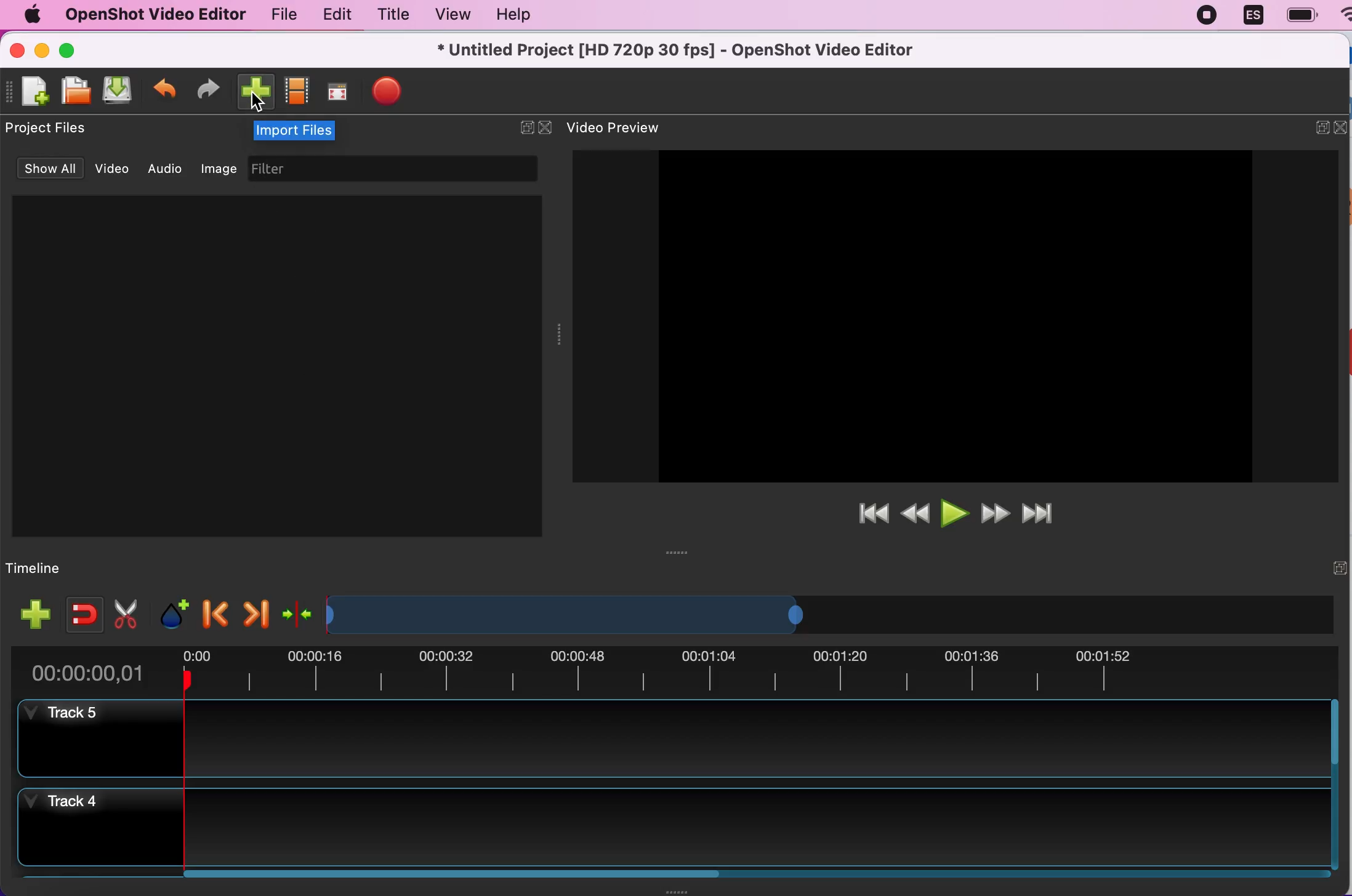 The height and width of the screenshot is (896, 1352). What do you see at coordinates (120, 92) in the screenshot?
I see `save file` at bounding box center [120, 92].